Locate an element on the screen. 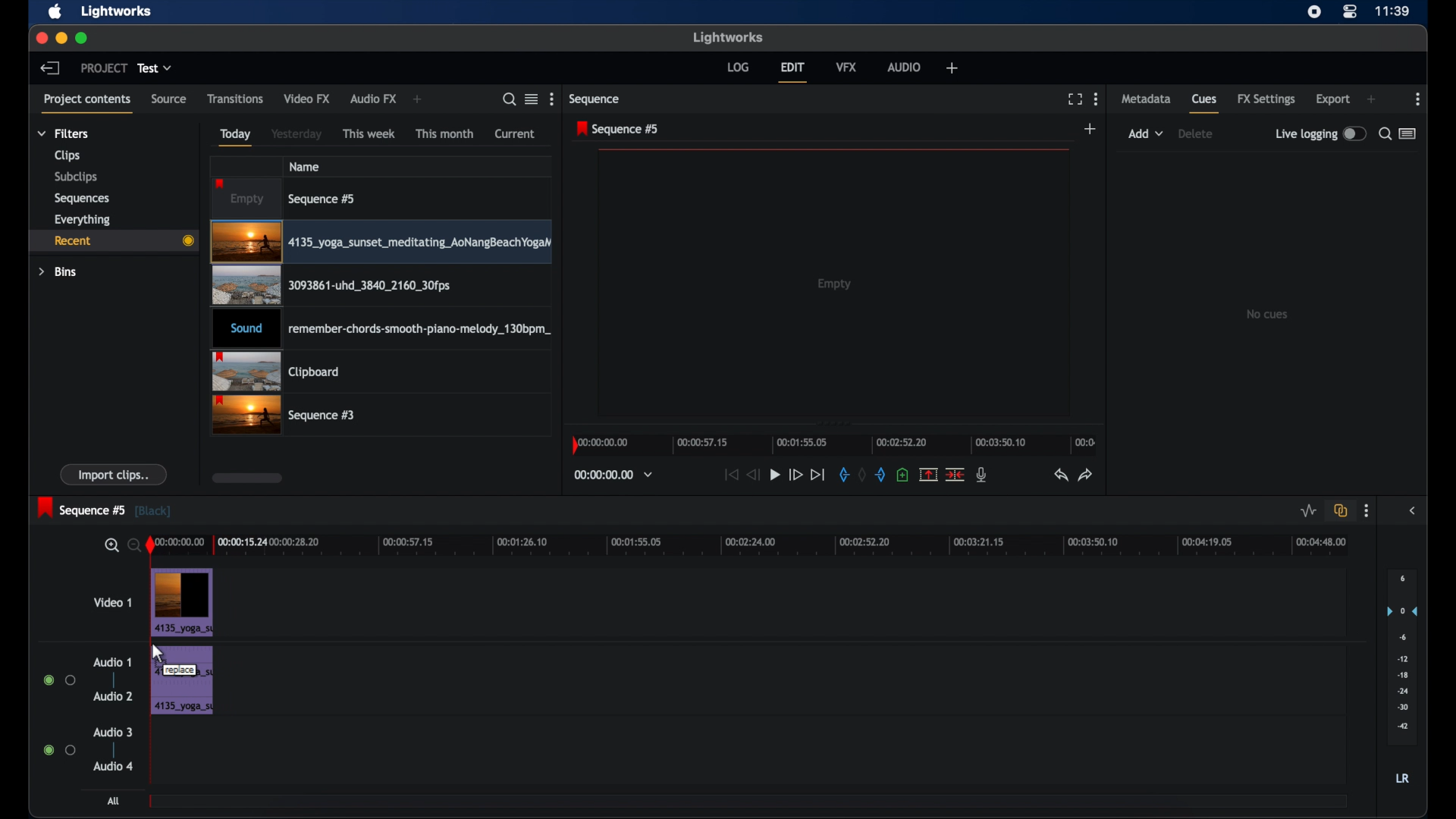 The image size is (1456, 819). jump to end is located at coordinates (818, 475).